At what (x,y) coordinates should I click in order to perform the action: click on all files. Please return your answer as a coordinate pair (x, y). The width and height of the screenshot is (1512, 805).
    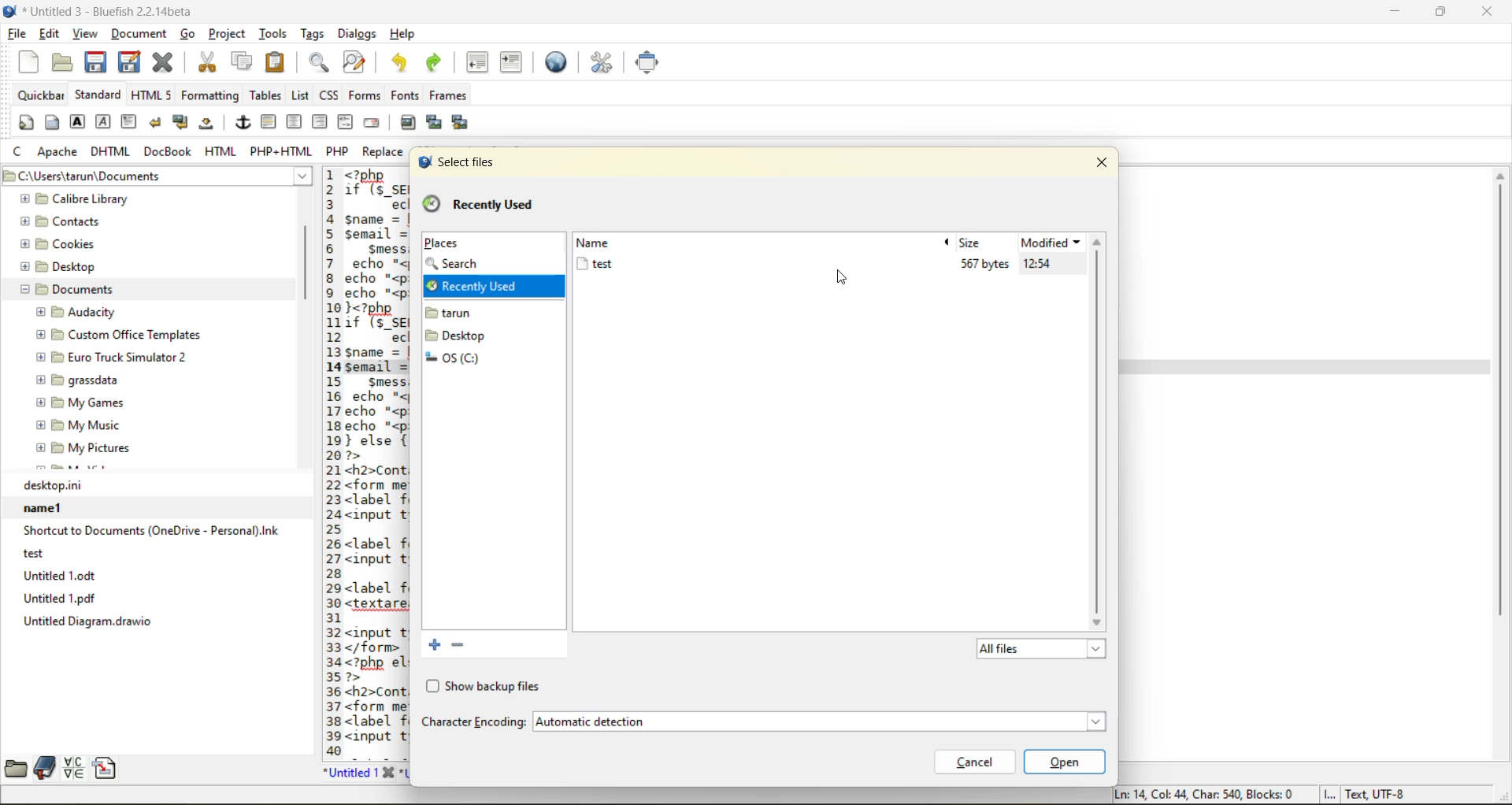
    Looking at the image, I should click on (1037, 651).